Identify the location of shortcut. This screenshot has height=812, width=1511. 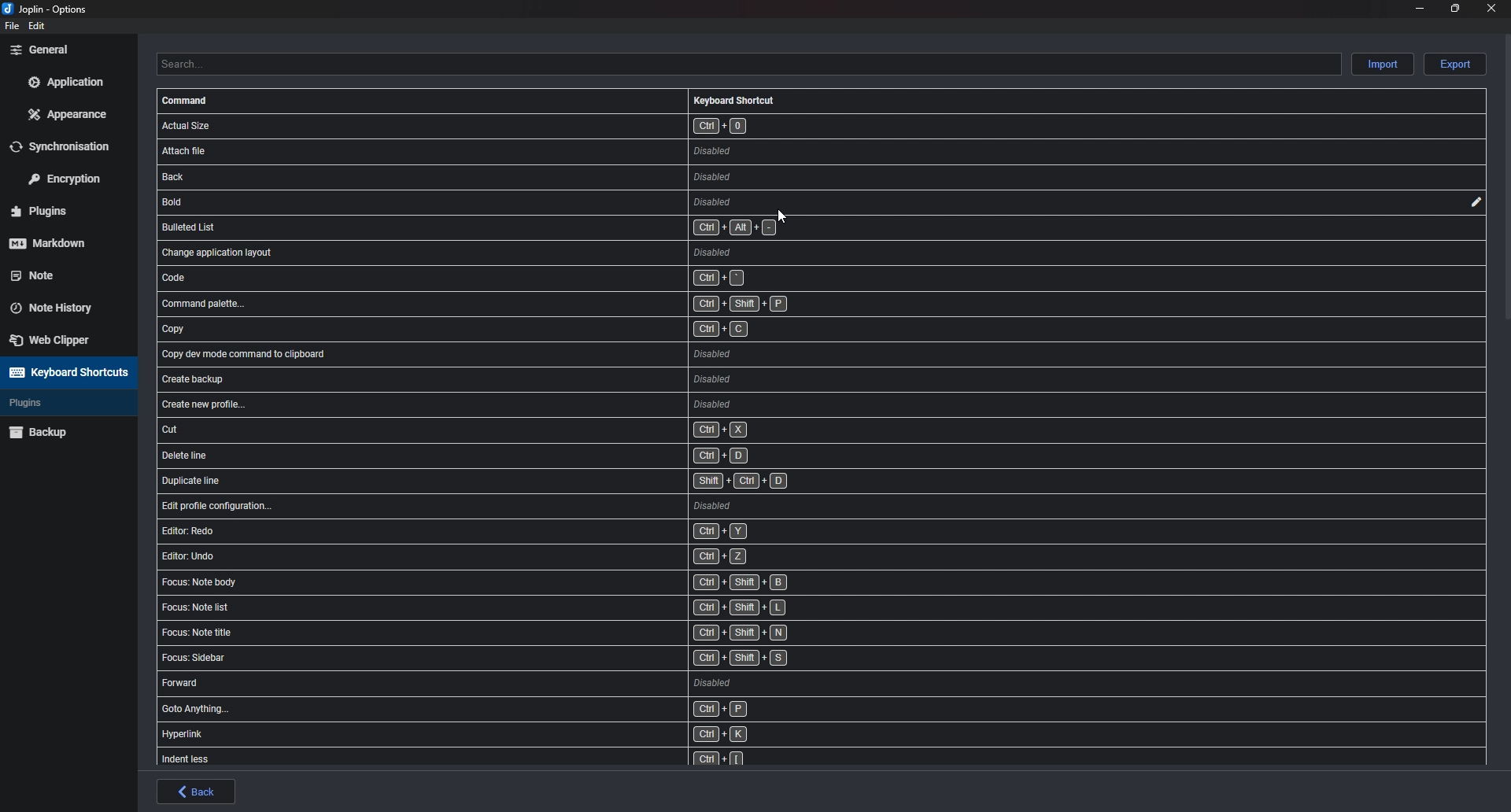
(536, 382).